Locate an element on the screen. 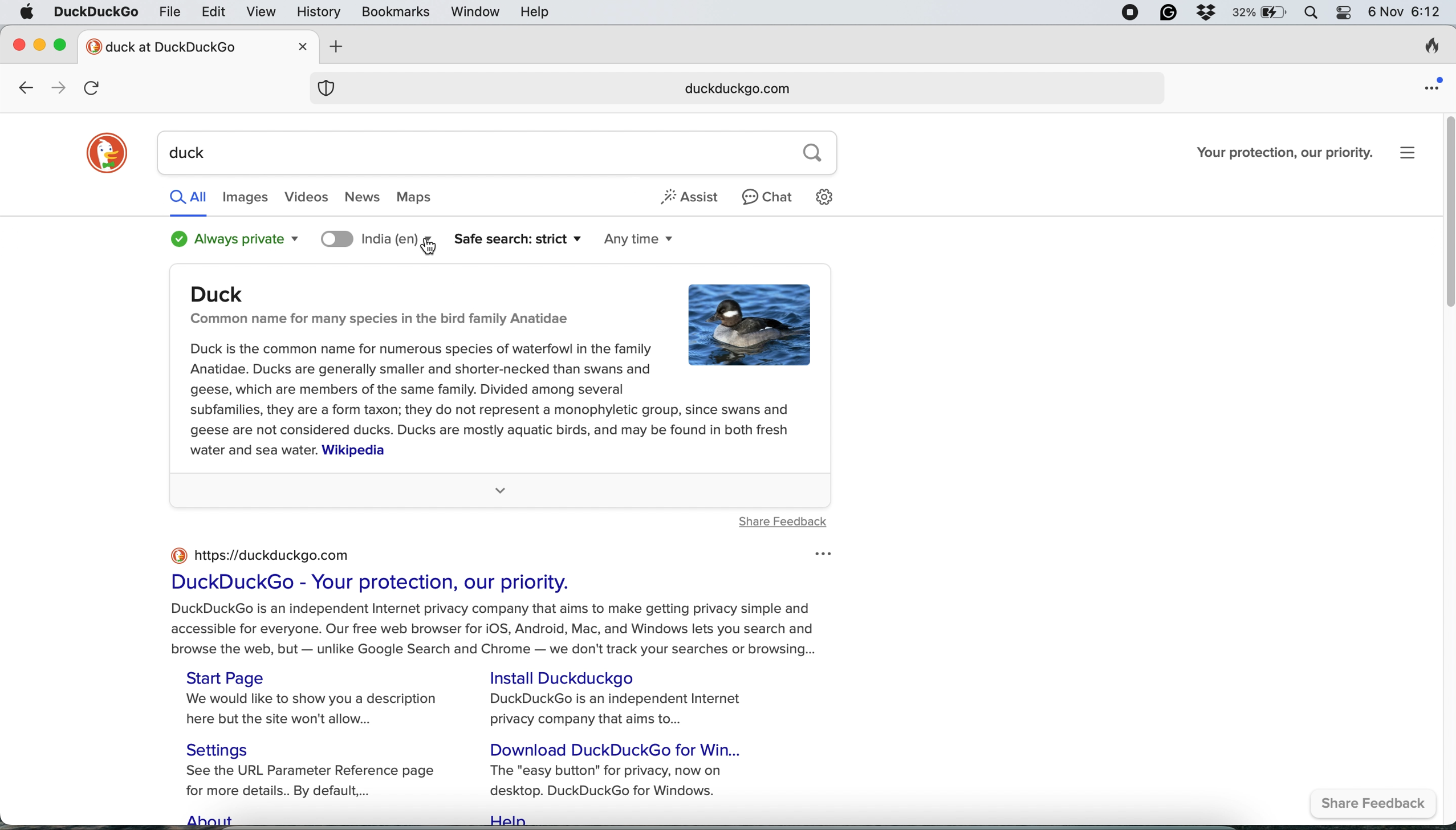 This screenshot has height=830, width=1456. Duck is located at coordinates (227, 294).